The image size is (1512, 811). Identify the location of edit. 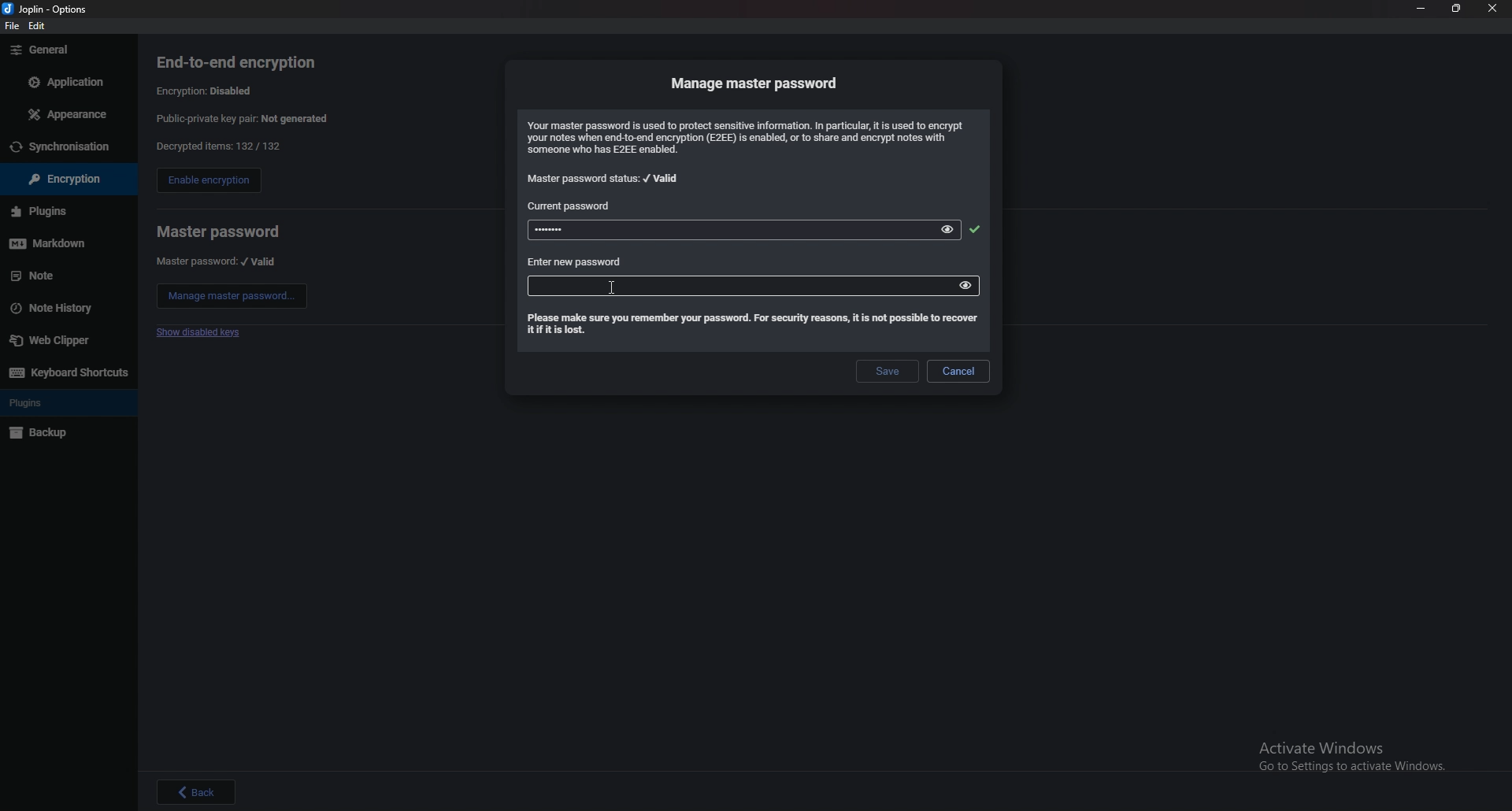
(40, 25).